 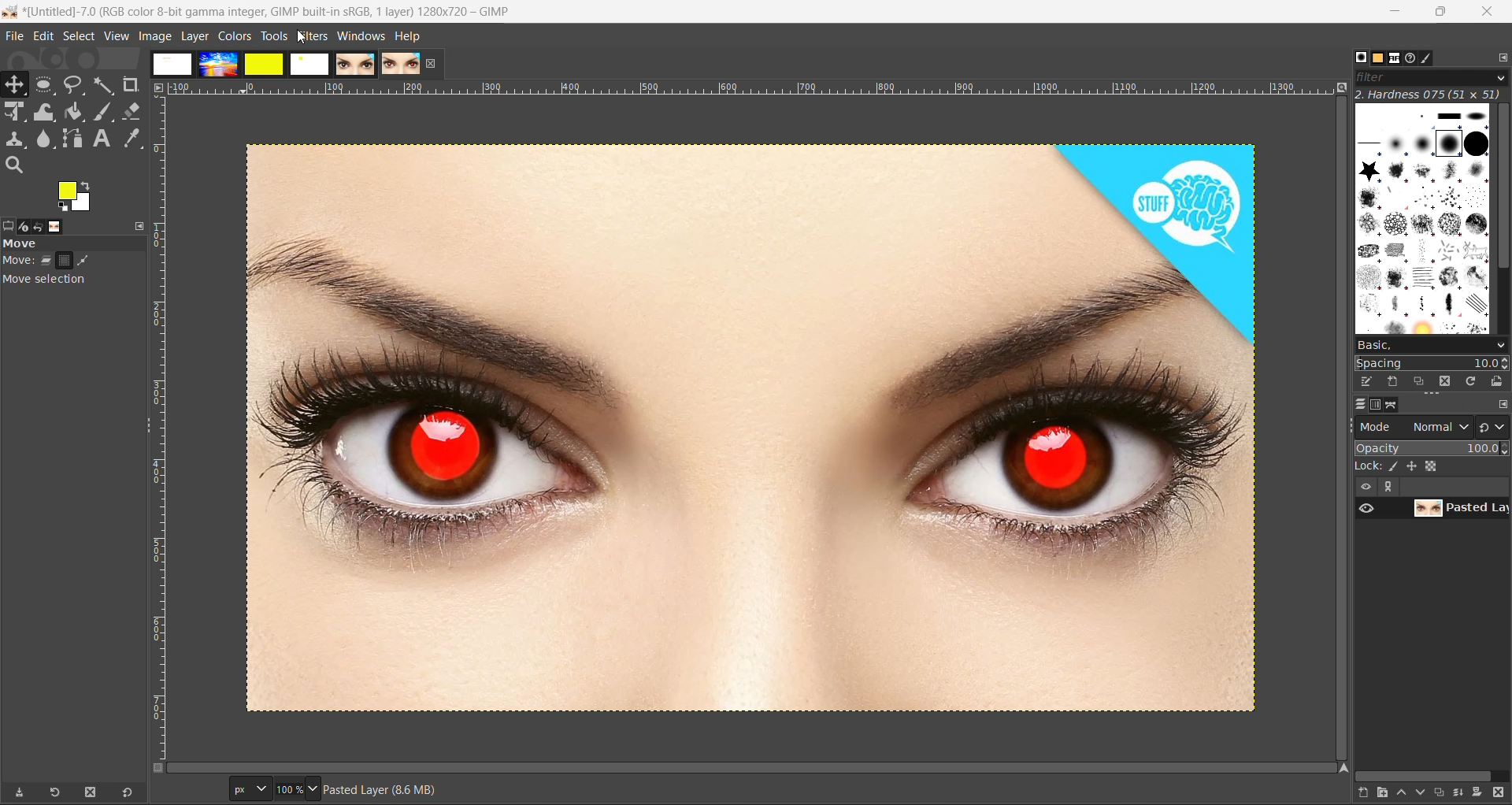 I want to click on maximize, so click(x=1440, y=15).